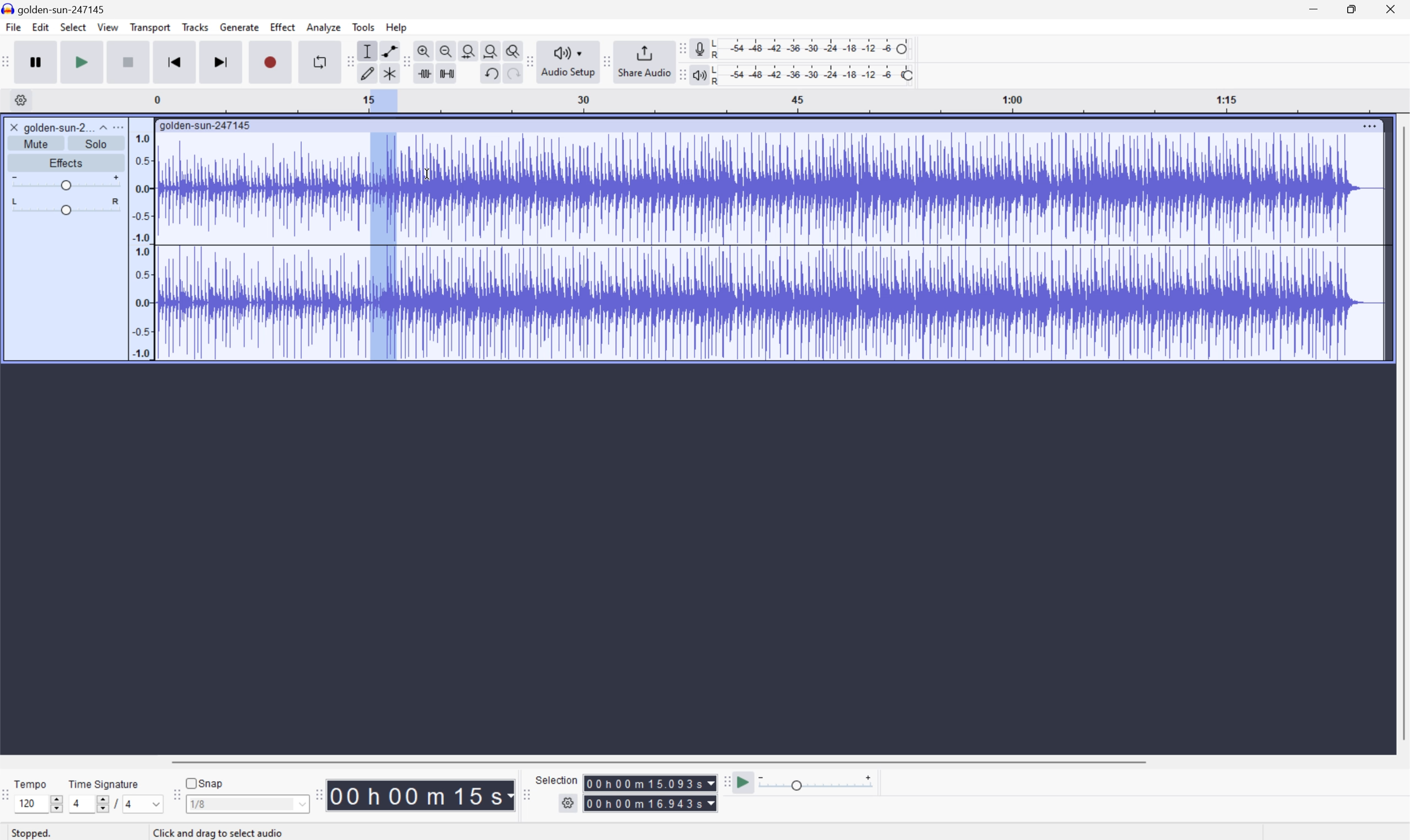  Describe the element at coordinates (570, 803) in the screenshot. I see `Settings` at that location.